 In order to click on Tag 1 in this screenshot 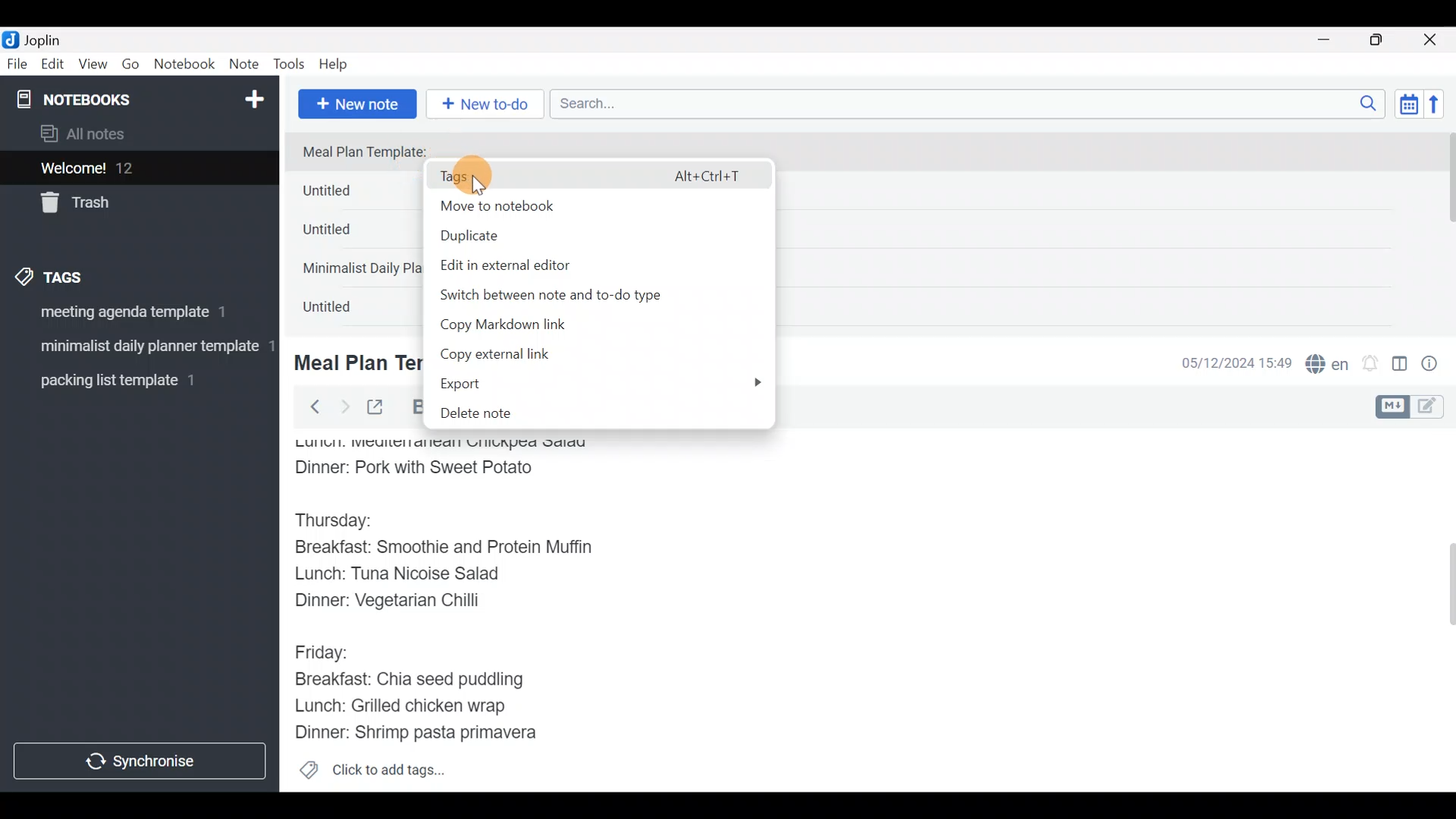, I will do `click(135, 316)`.